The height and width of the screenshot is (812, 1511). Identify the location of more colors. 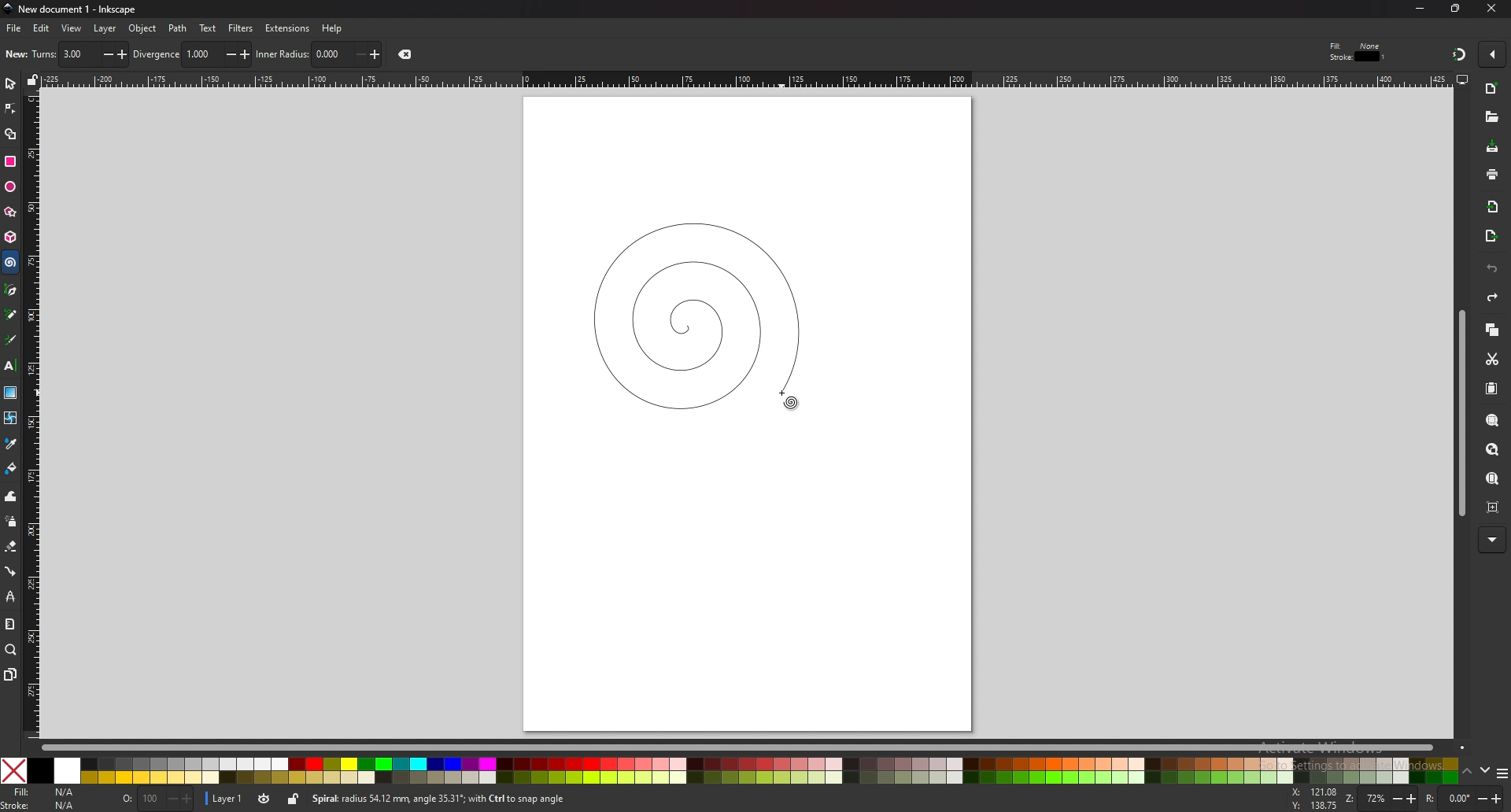
(1499, 772).